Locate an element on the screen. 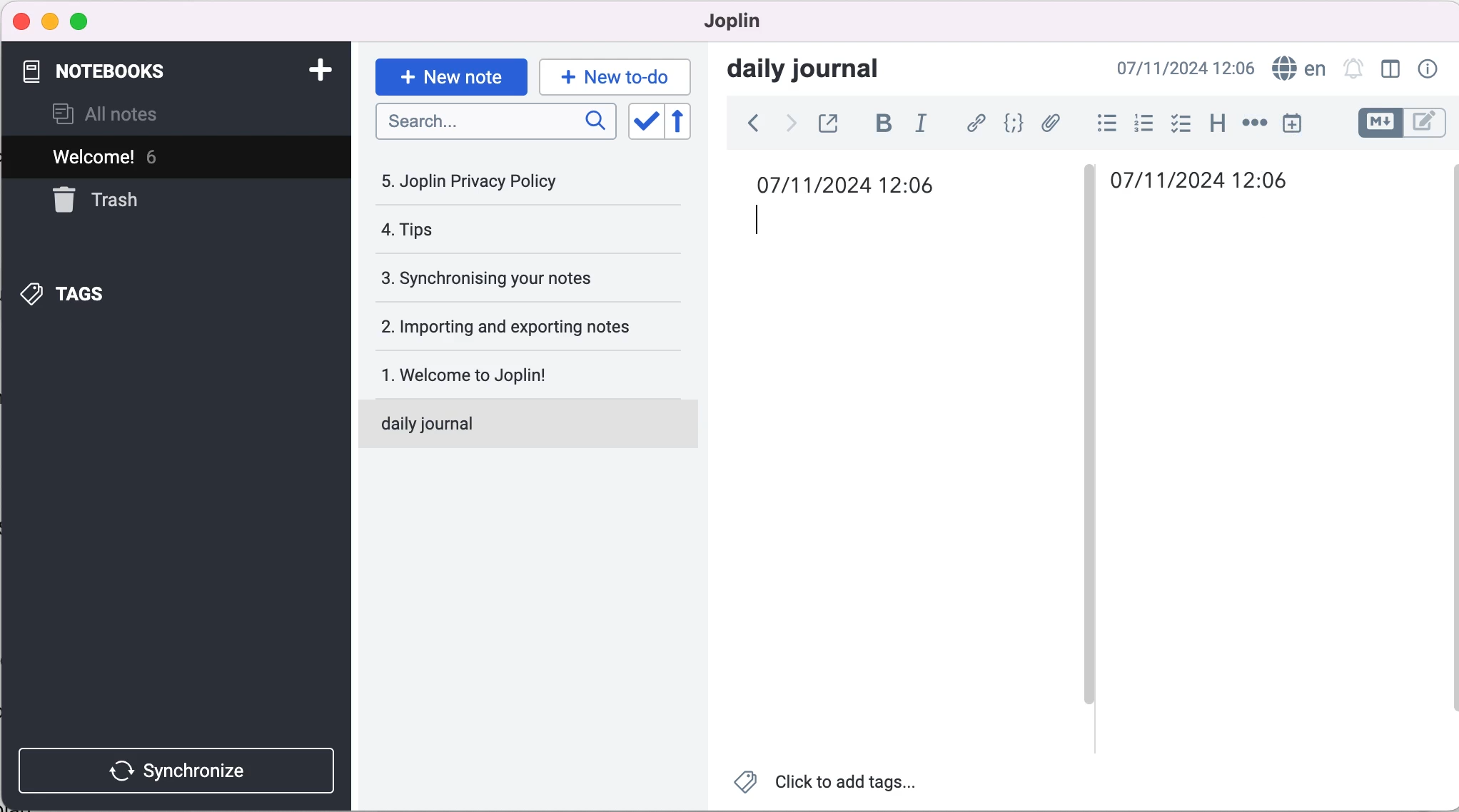 This screenshot has height=812, width=1459. cursor is located at coordinates (760, 223).